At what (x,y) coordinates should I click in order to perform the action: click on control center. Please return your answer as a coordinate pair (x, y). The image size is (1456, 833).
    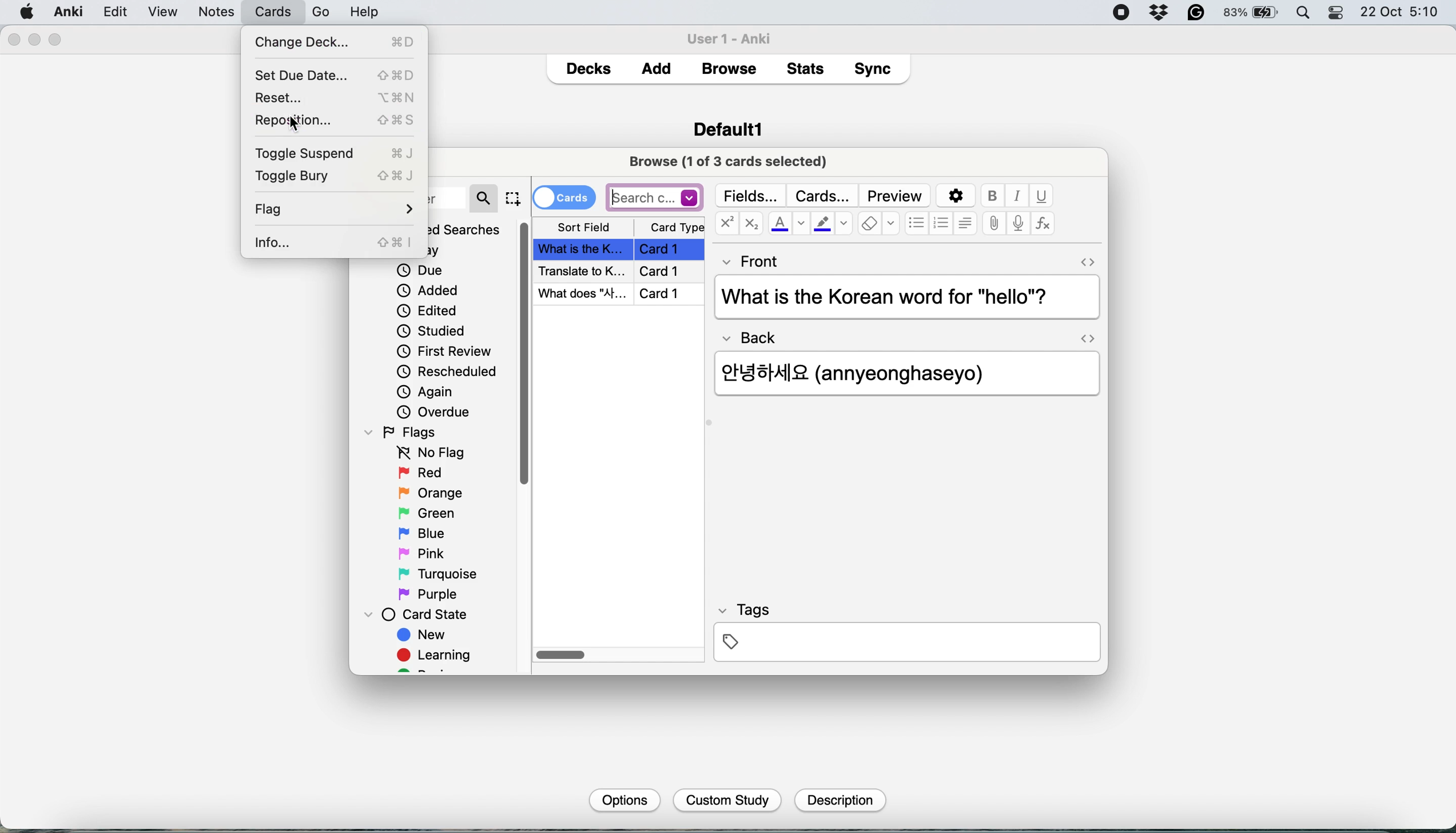
    Looking at the image, I should click on (1337, 13).